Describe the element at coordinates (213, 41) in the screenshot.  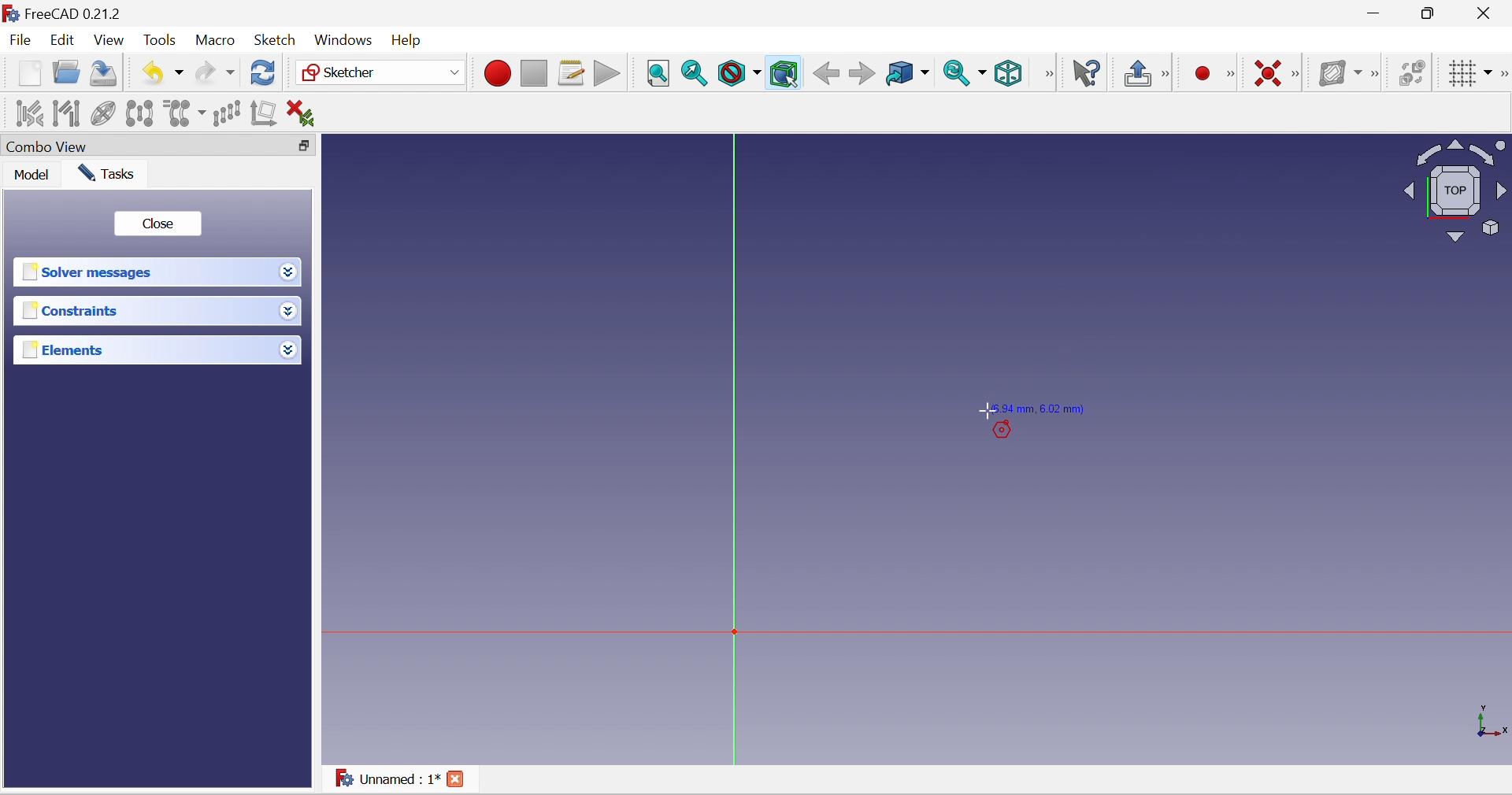
I see `Macro` at that location.